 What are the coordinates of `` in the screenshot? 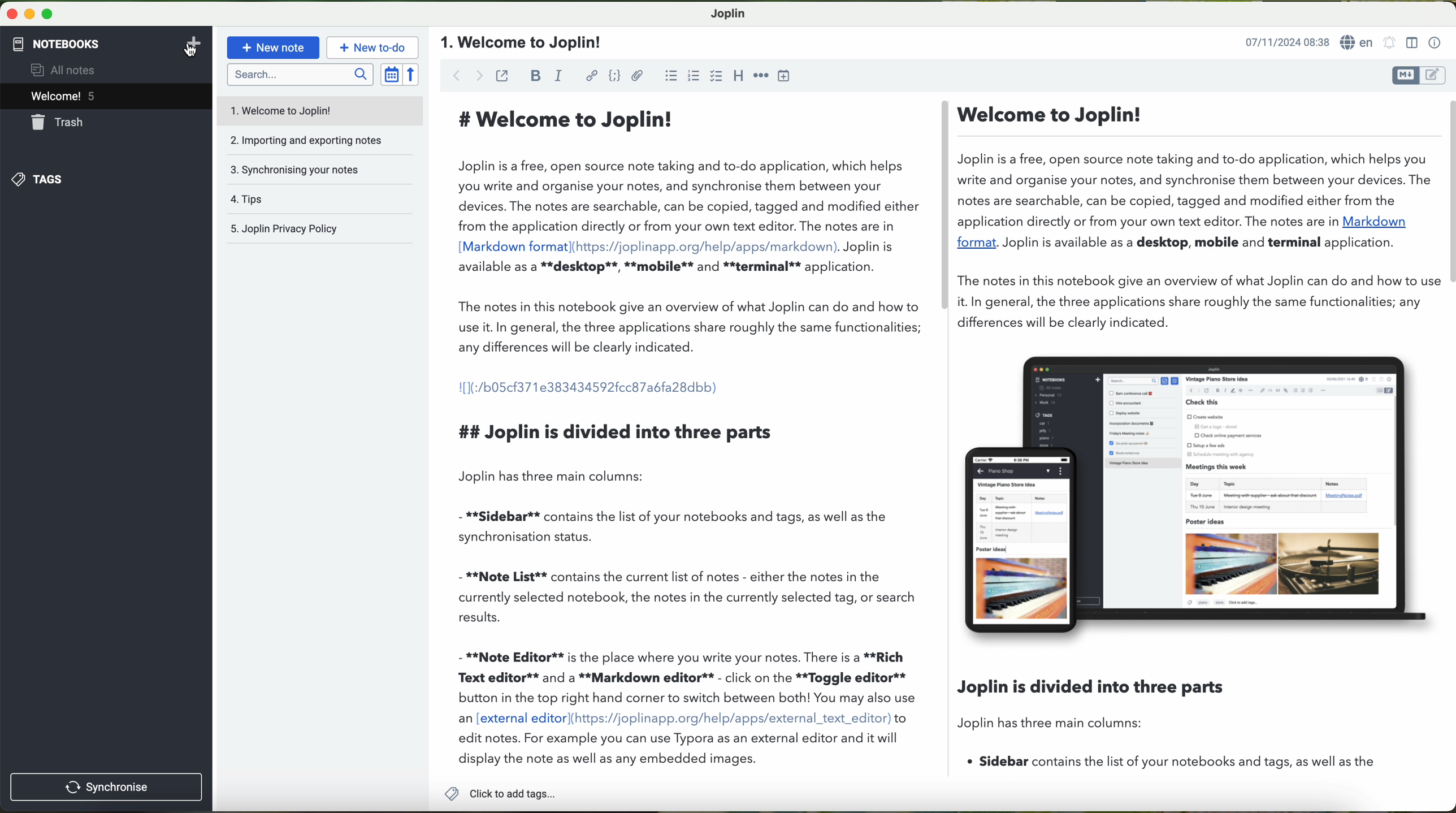 It's located at (391, 75).